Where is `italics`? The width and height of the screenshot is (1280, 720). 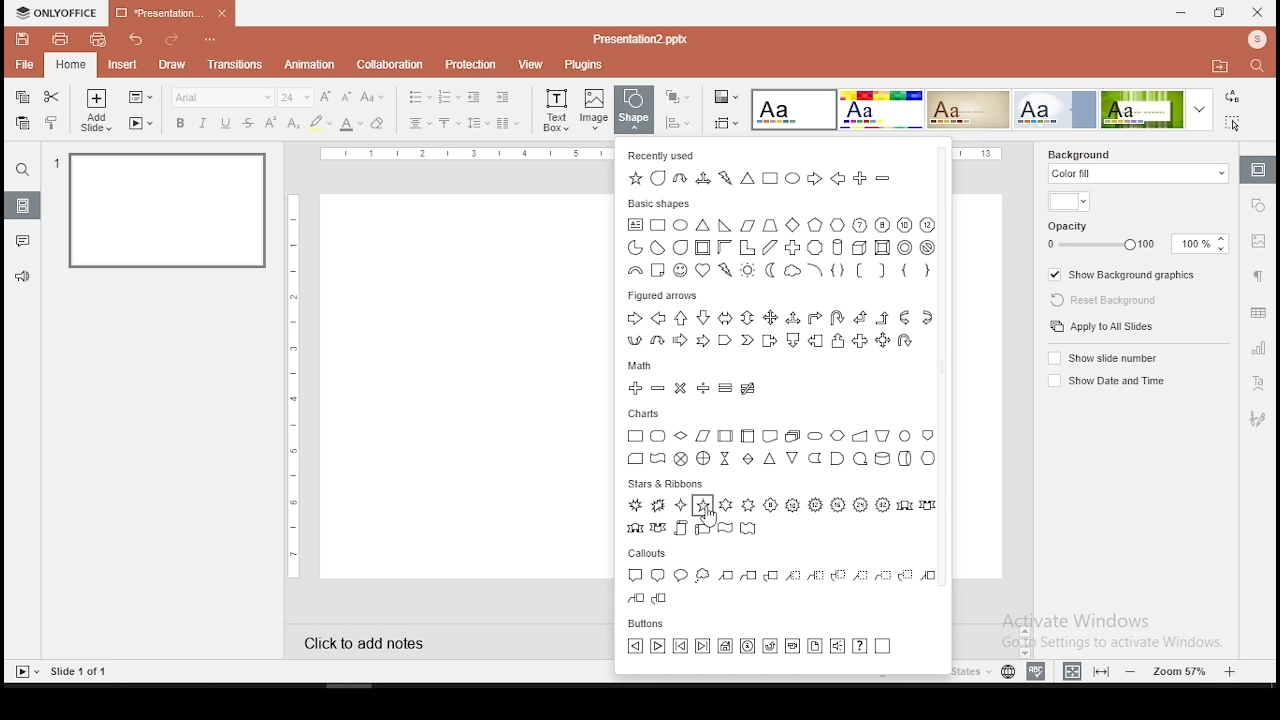
italics is located at coordinates (202, 123).